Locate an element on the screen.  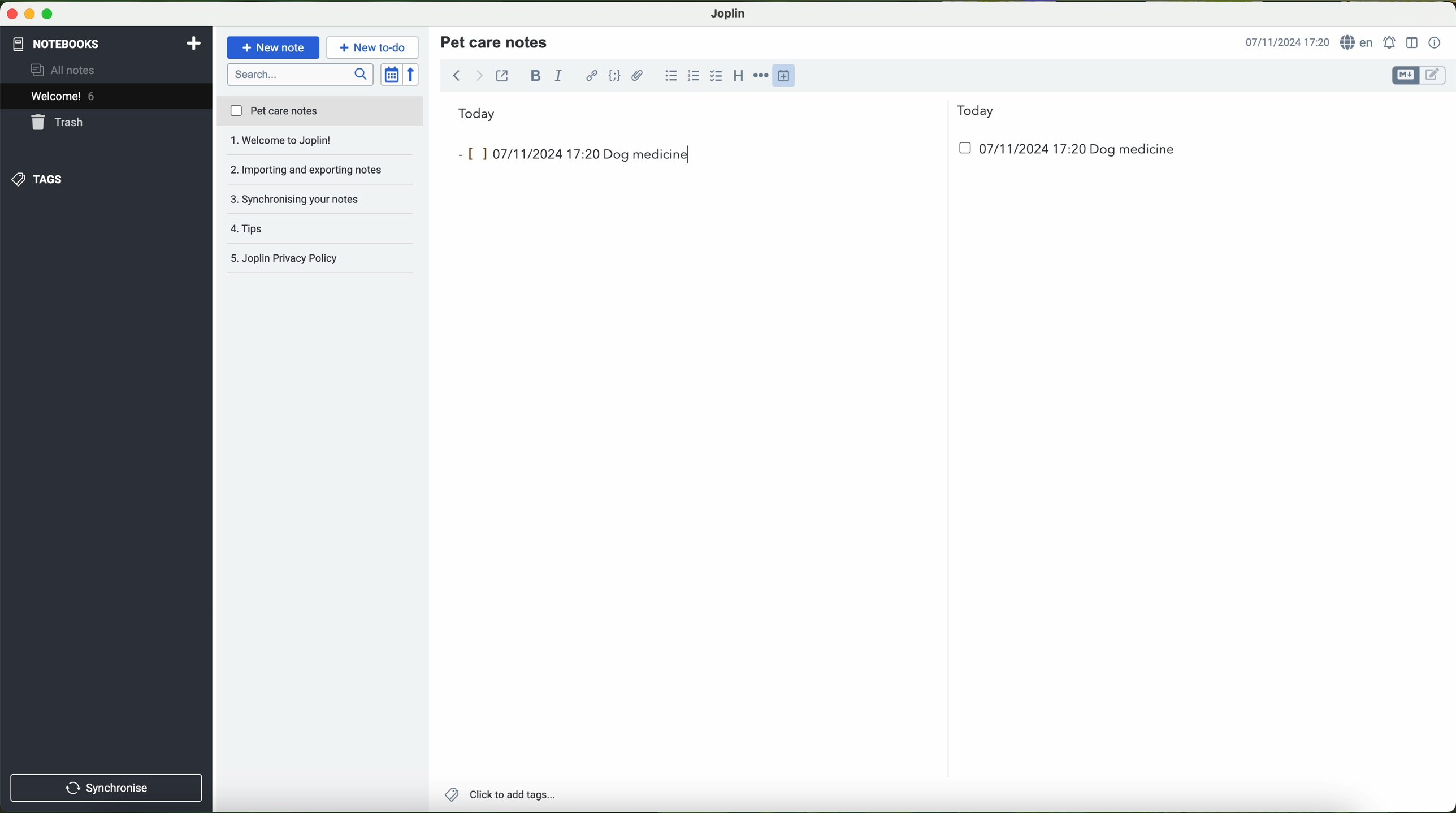
add is located at coordinates (194, 42).